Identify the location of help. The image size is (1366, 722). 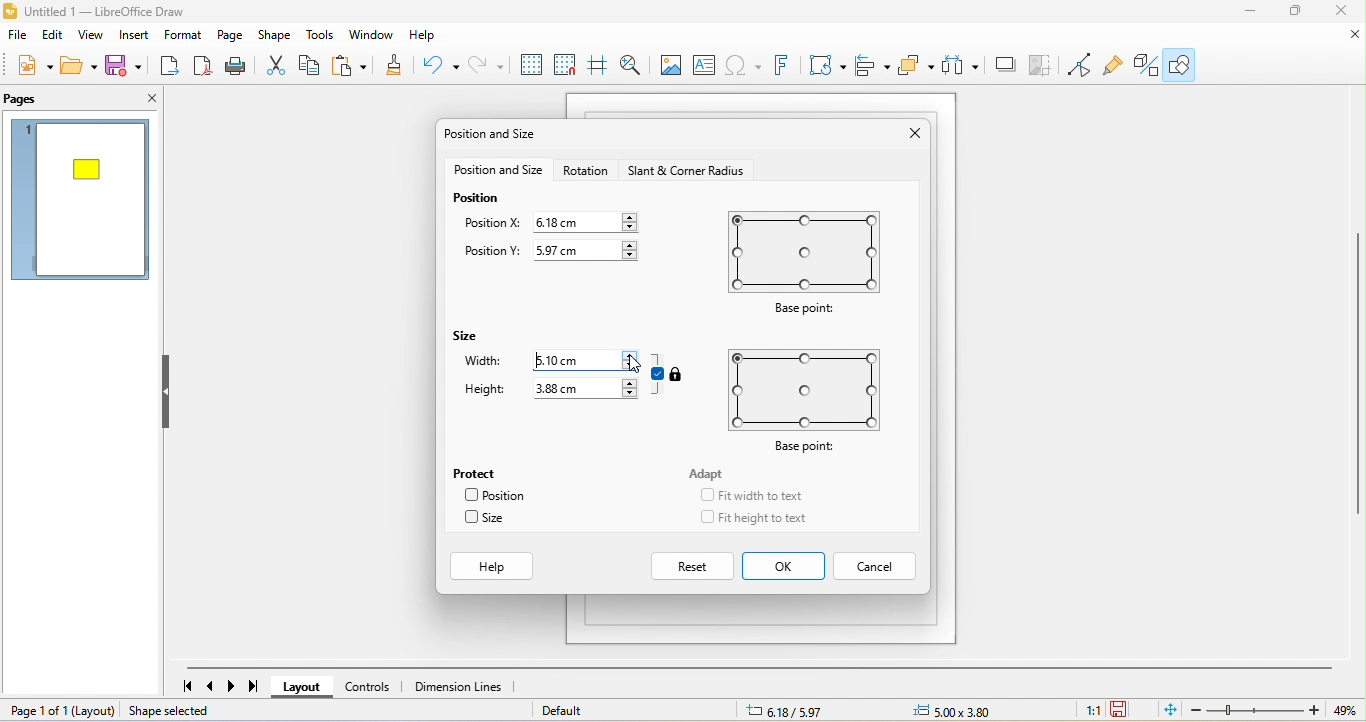
(432, 36).